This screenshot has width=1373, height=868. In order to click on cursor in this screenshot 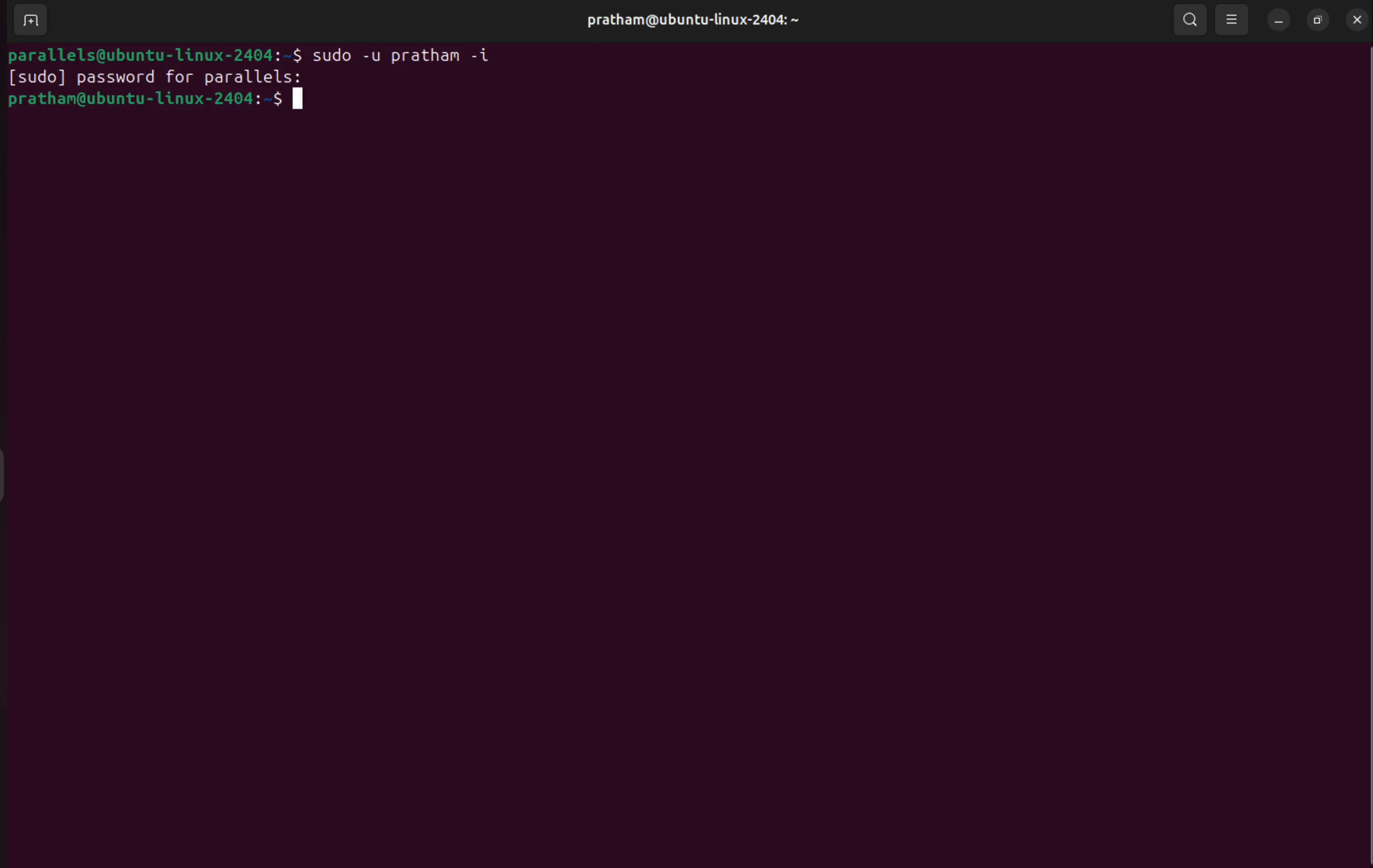, I will do `click(304, 99)`.